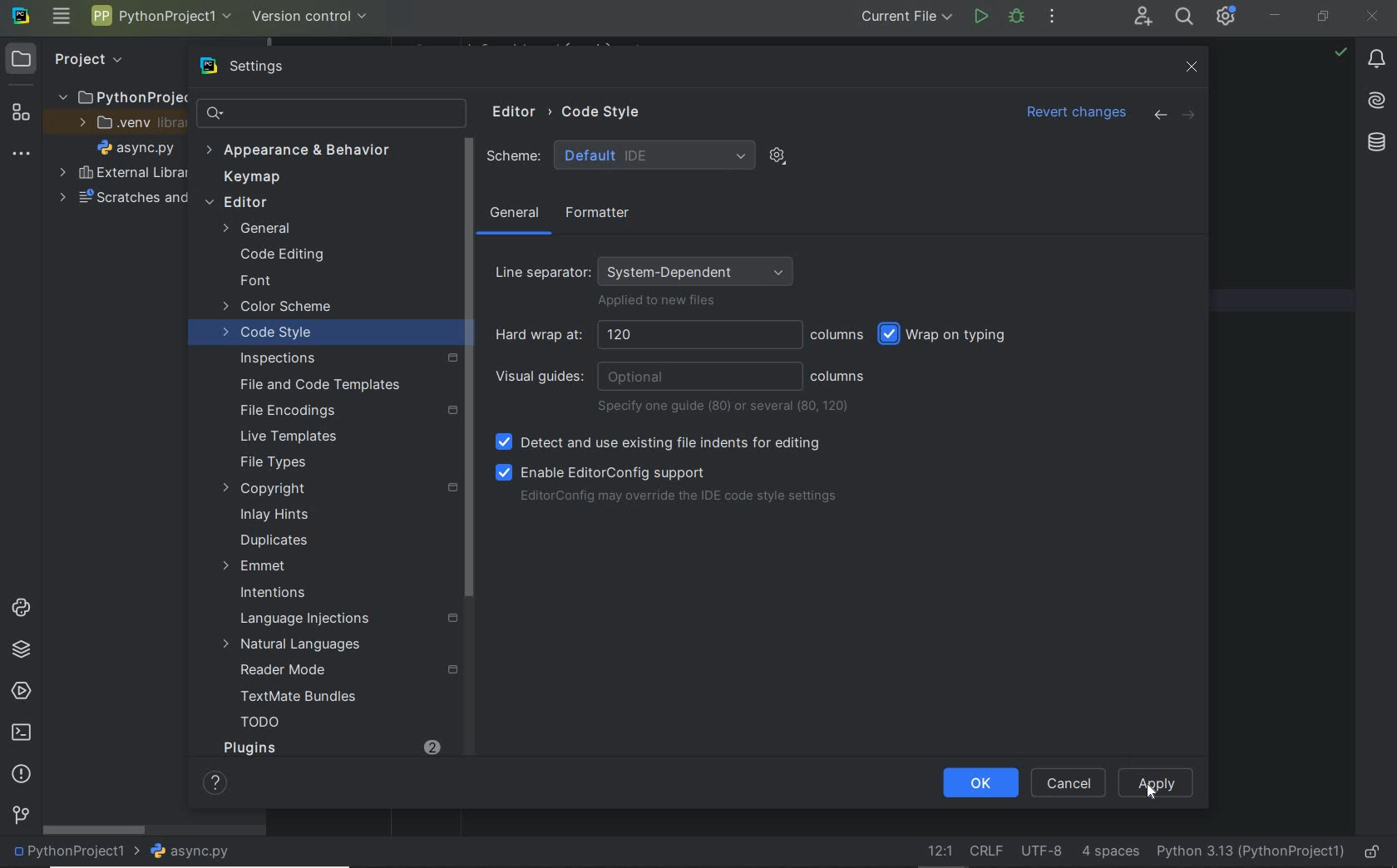 The width and height of the screenshot is (1397, 868). Describe the element at coordinates (949, 337) in the screenshot. I see `wrap on typing selected` at that location.